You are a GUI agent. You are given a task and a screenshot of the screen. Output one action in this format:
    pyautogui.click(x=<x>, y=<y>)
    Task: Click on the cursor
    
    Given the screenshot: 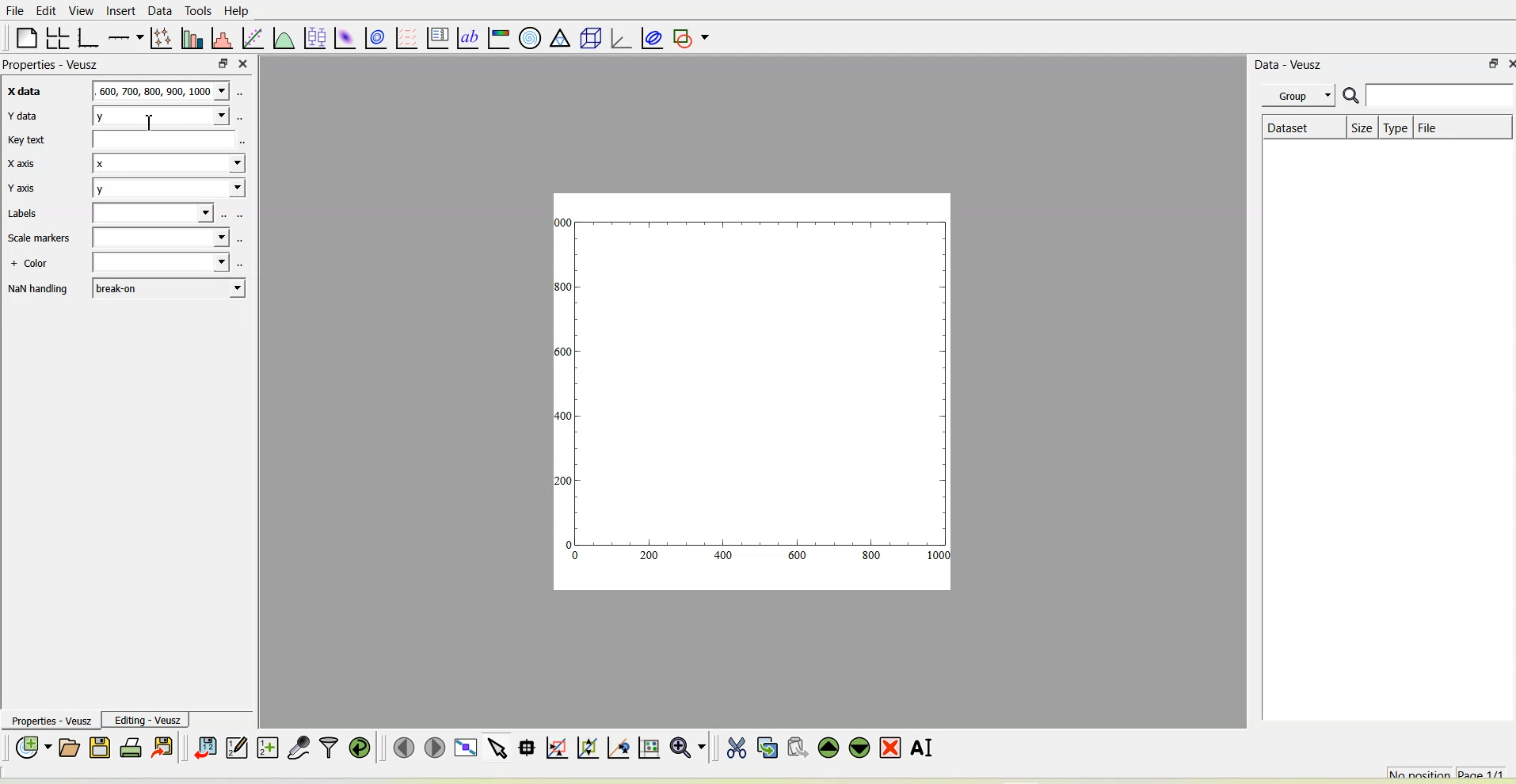 What is the action you would take?
    pyautogui.click(x=153, y=115)
    